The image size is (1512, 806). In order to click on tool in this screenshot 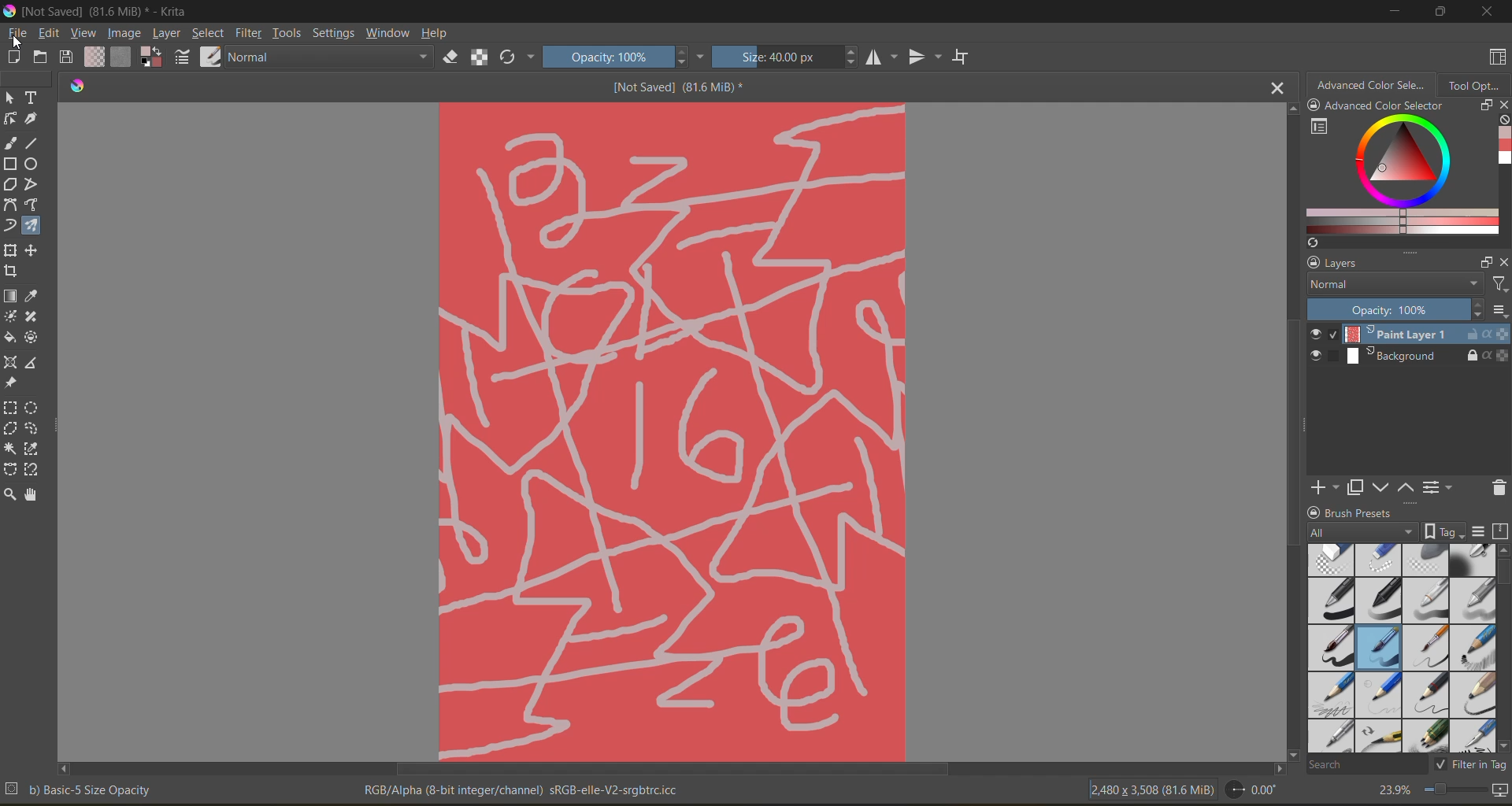, I will do `click(35, 361)`.